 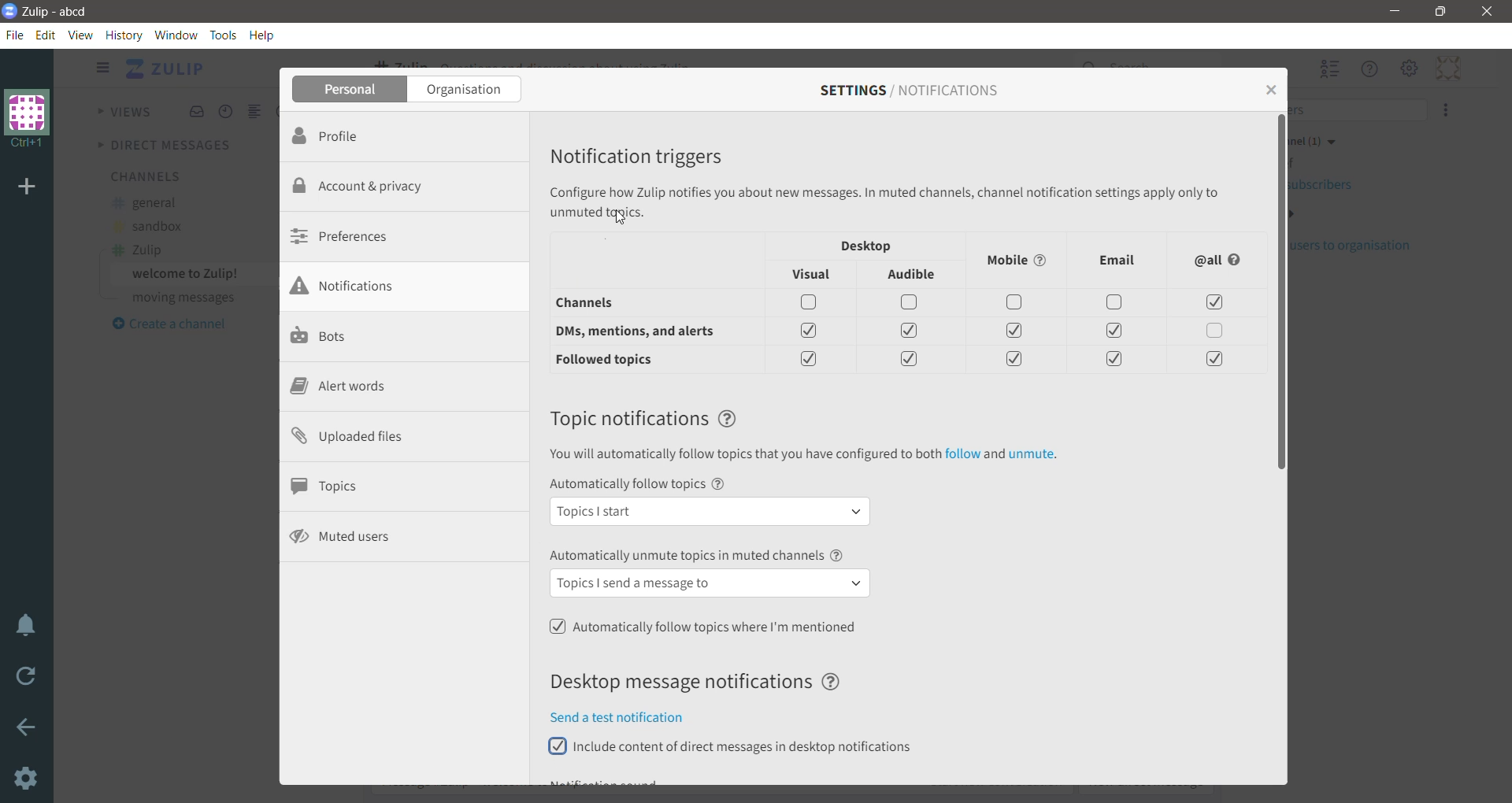 What do you see at coordinates (28, 119) in the screenshot?
I see `Organization logo` at bounding box center [28, 119].